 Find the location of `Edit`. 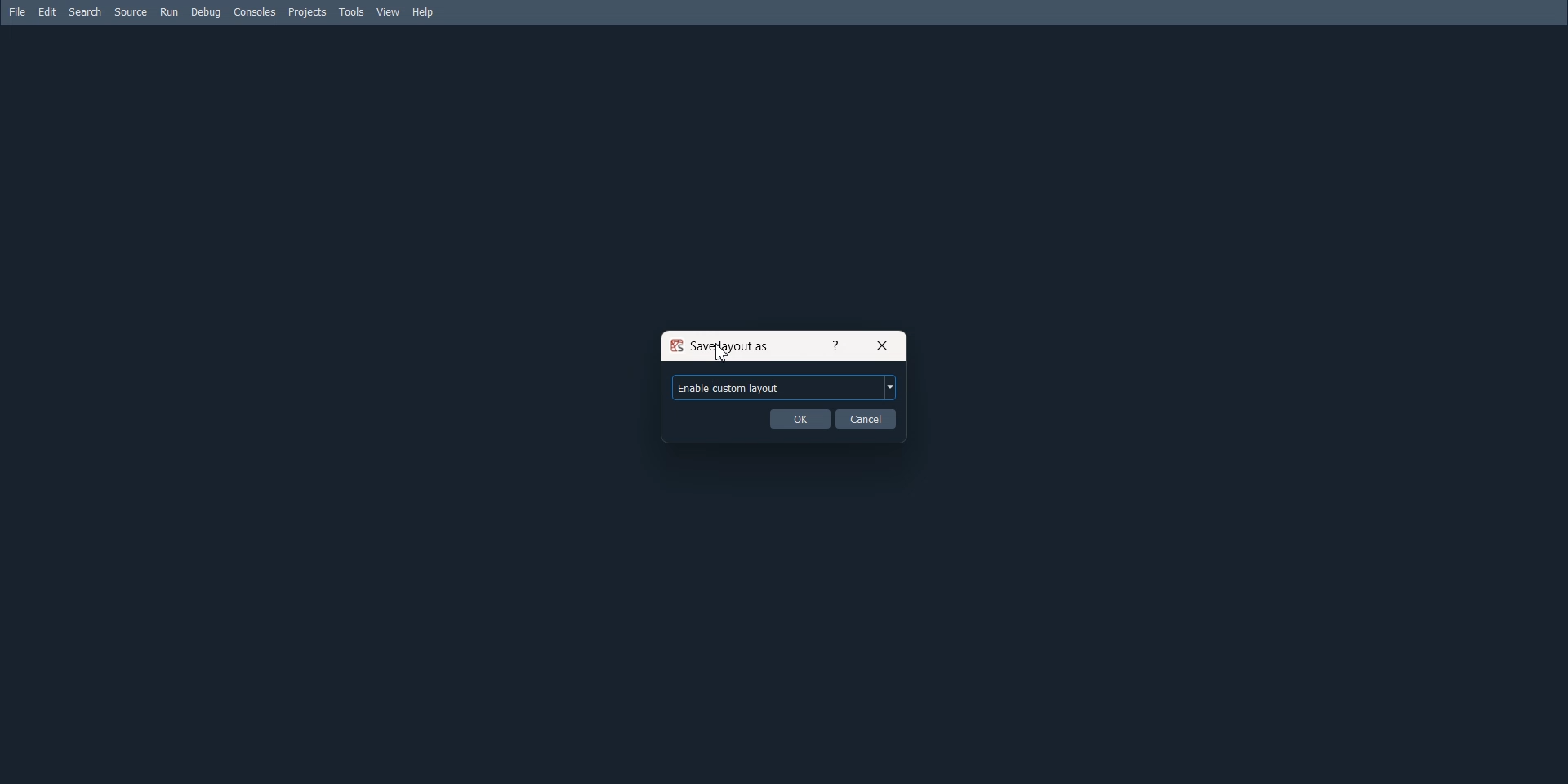

Edit is located at coordinates (48, 11).